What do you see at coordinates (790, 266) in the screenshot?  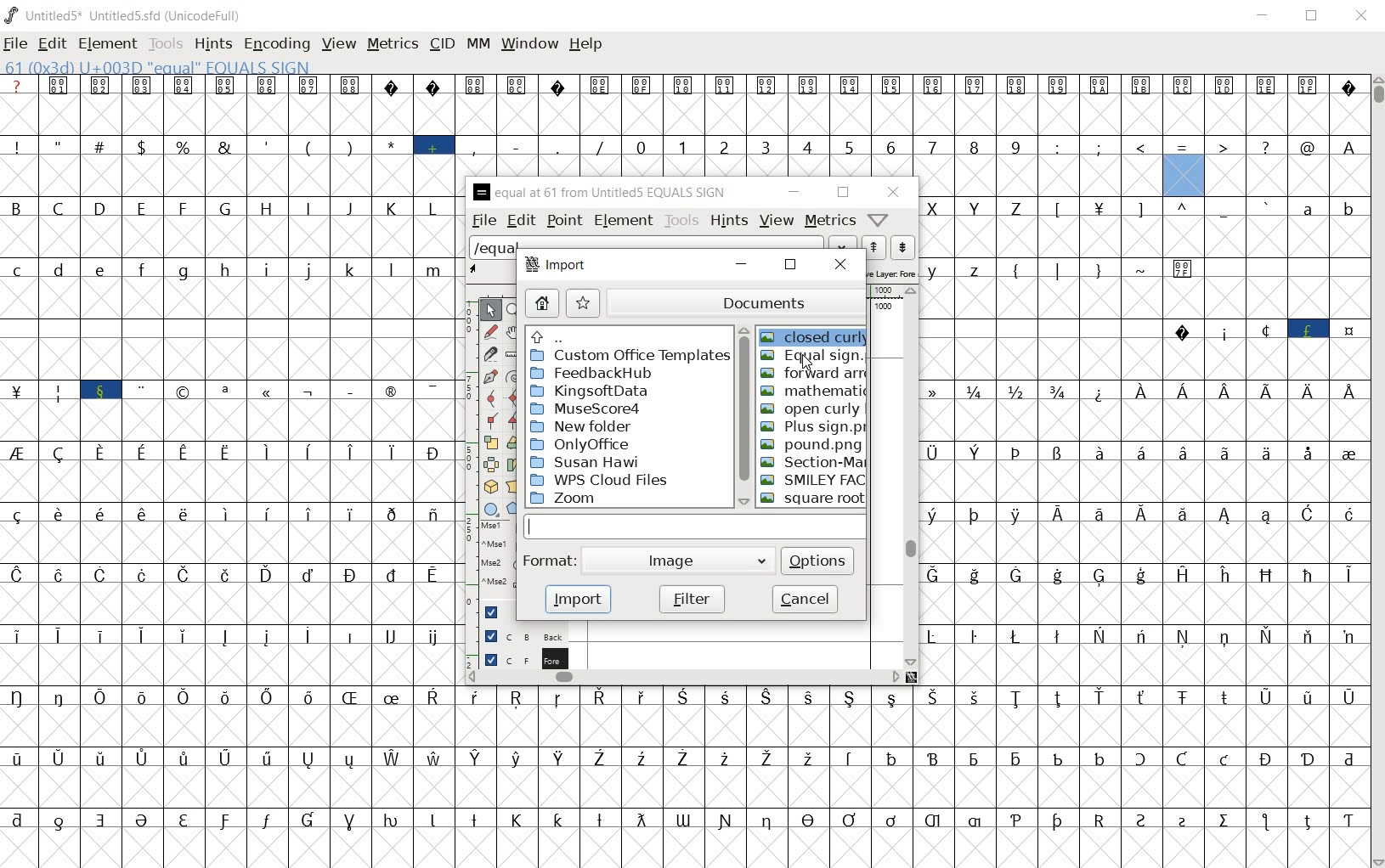 I see `restore down` at bounding box center [790, 266].